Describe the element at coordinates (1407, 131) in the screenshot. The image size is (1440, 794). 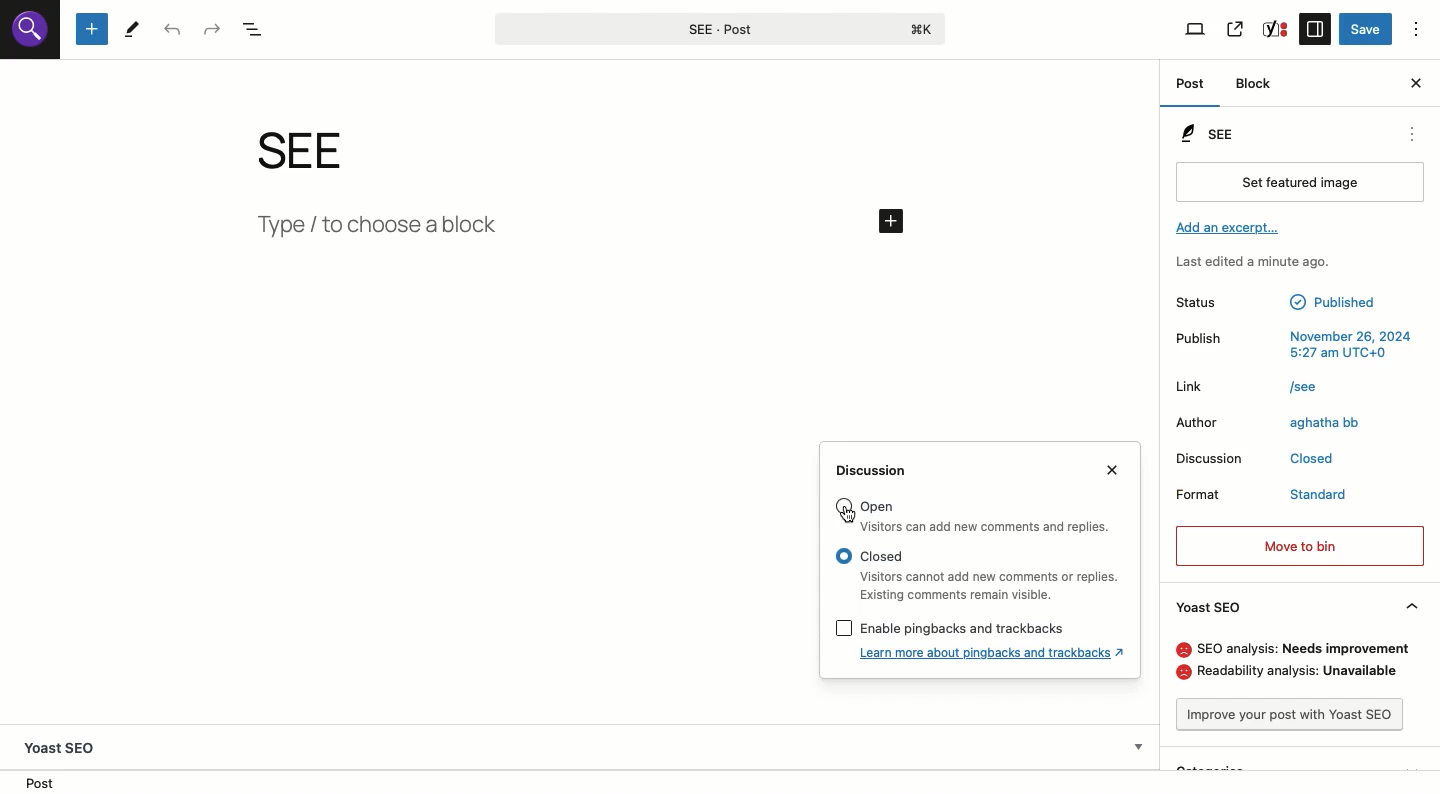
I see `see options` at that location.